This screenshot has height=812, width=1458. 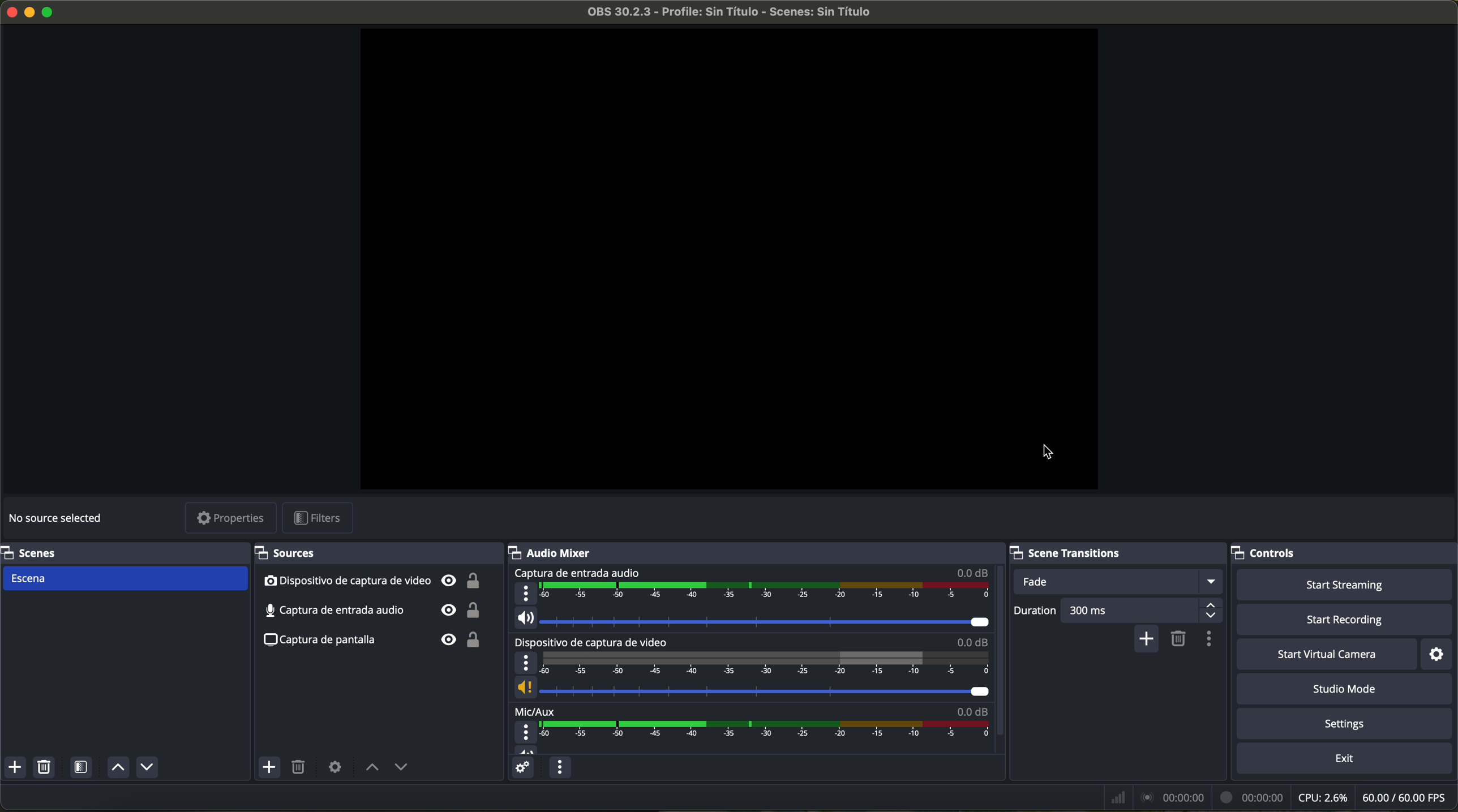 I want to click on open source properties, so click(x=335, y=766).